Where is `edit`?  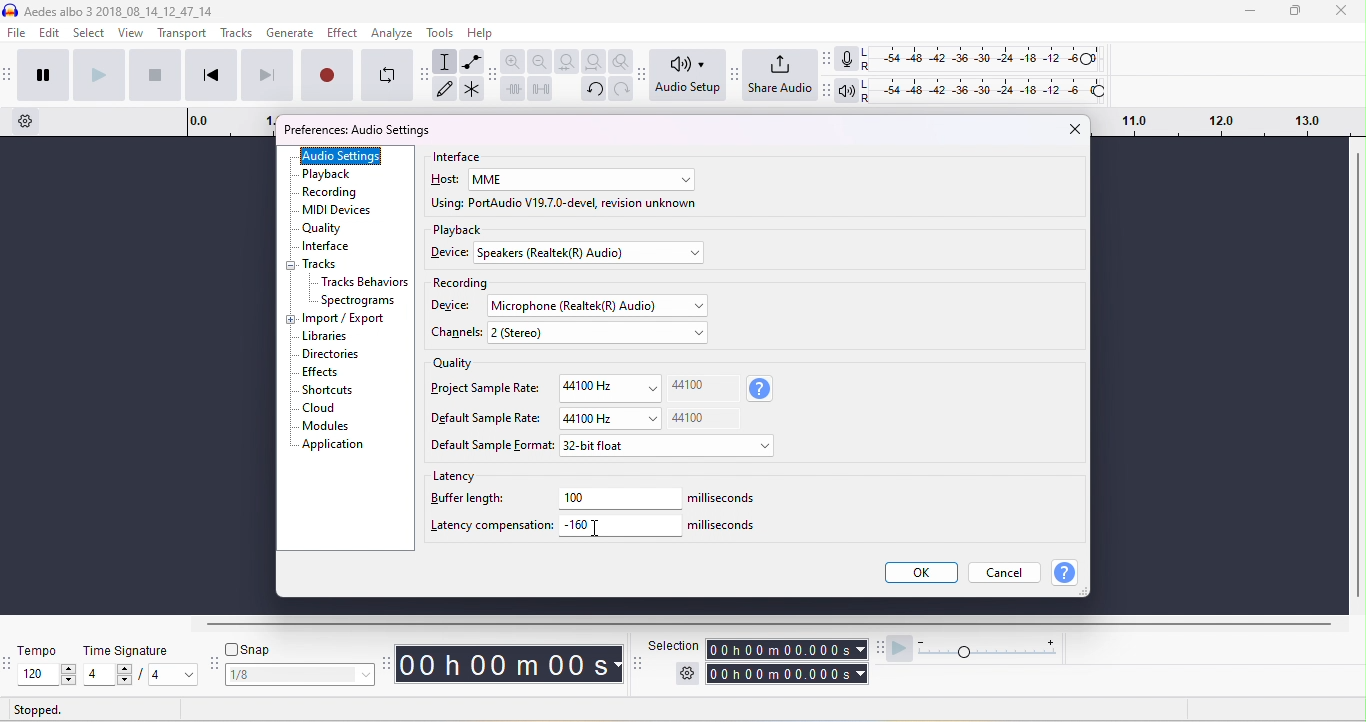
edit is located at coordinates (51, 34).